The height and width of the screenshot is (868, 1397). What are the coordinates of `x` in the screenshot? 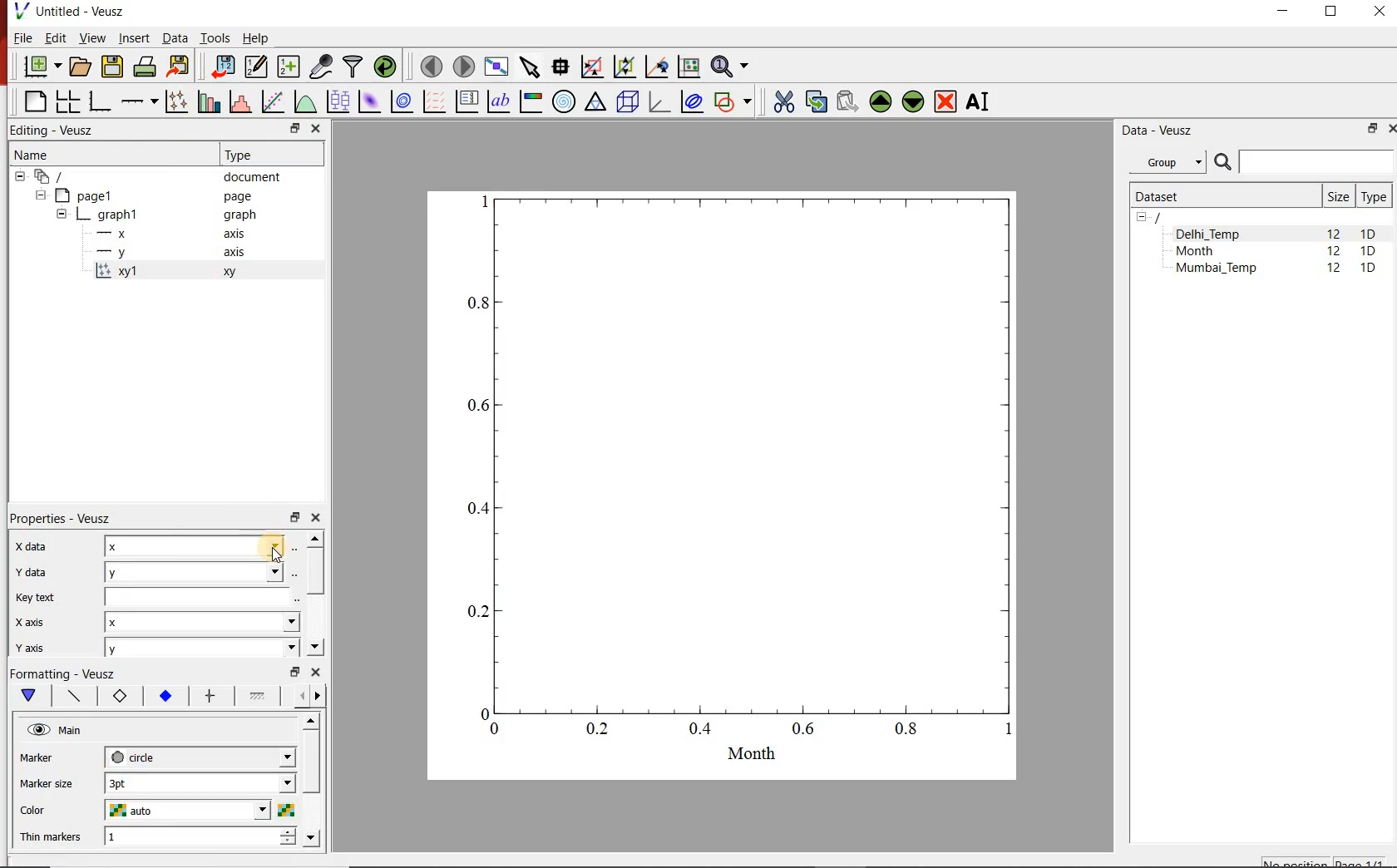 It's located at (201, 545).